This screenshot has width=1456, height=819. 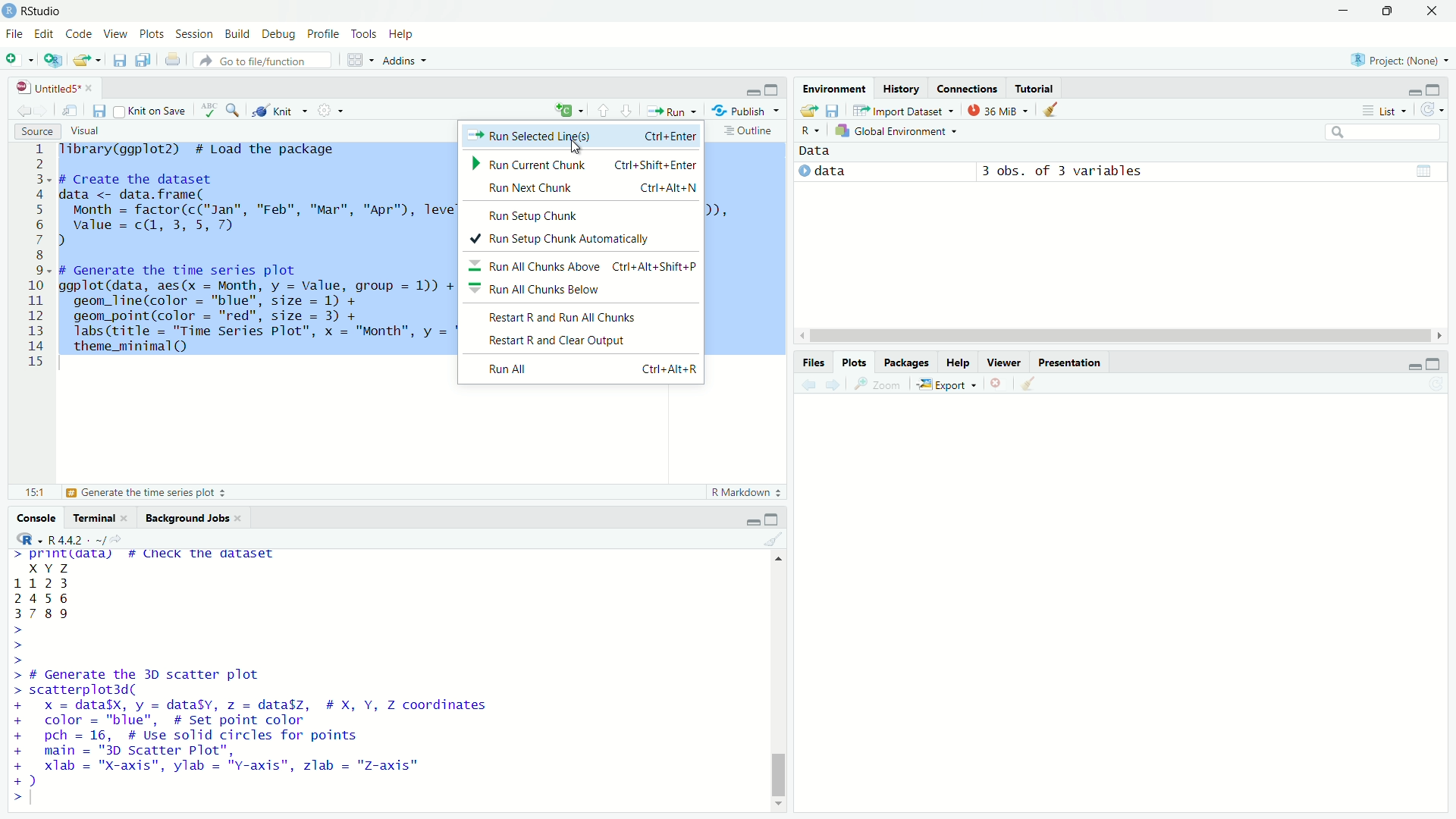 What do you see at coordinates (569, 110) in the screenshot?
I see `insert a new code chunk` at bounding box center [569, 110].